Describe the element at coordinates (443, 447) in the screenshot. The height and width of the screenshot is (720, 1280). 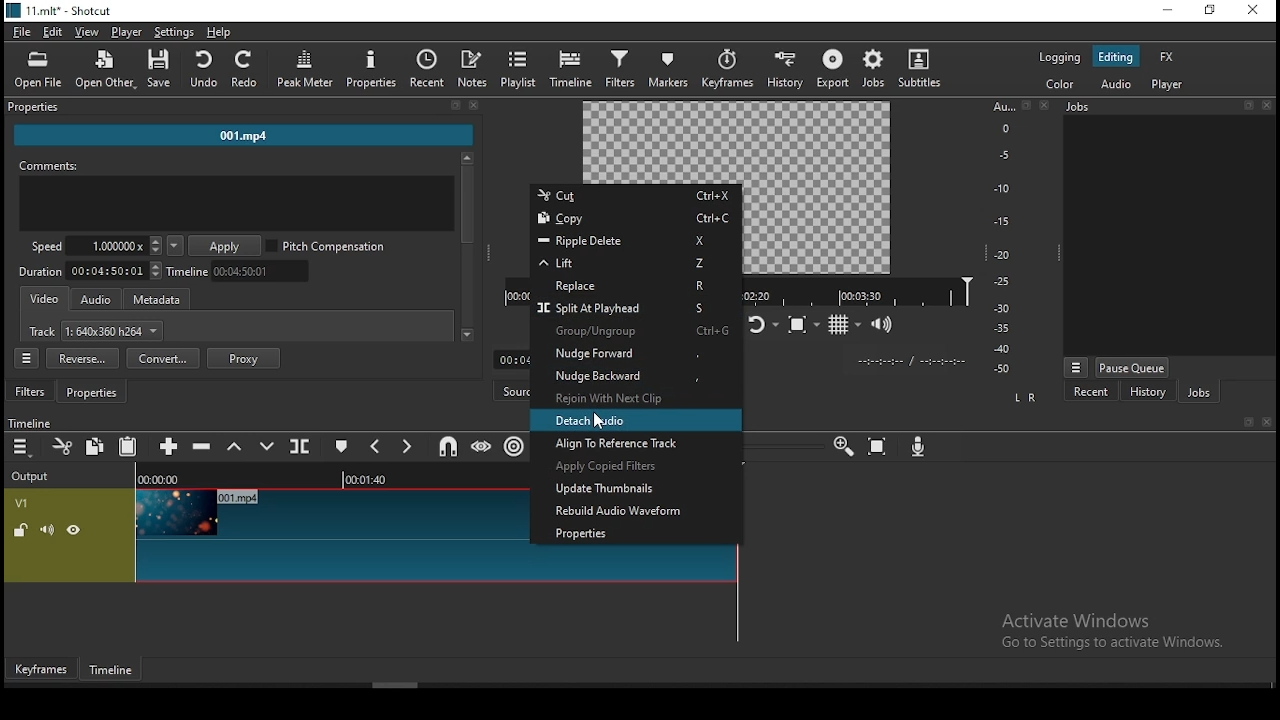
I see `snap` at that location.